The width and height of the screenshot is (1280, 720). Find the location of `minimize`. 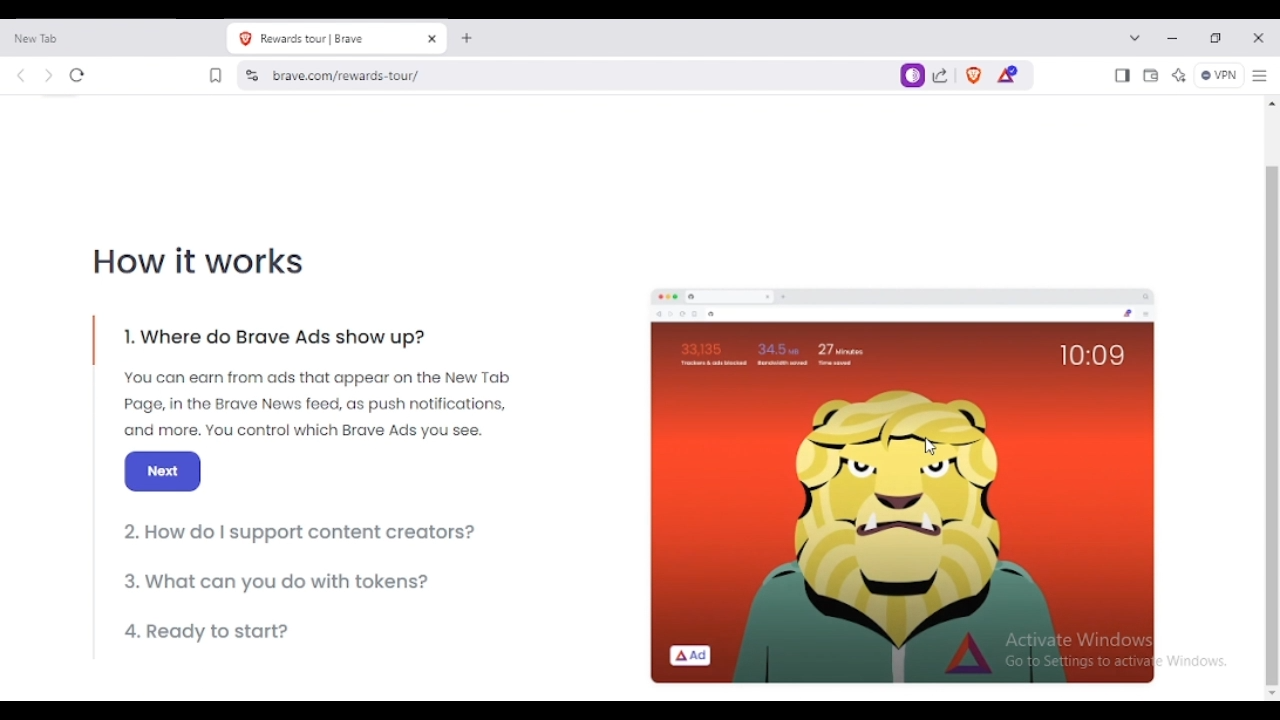

minimize is located at coordinates (1173, 38).